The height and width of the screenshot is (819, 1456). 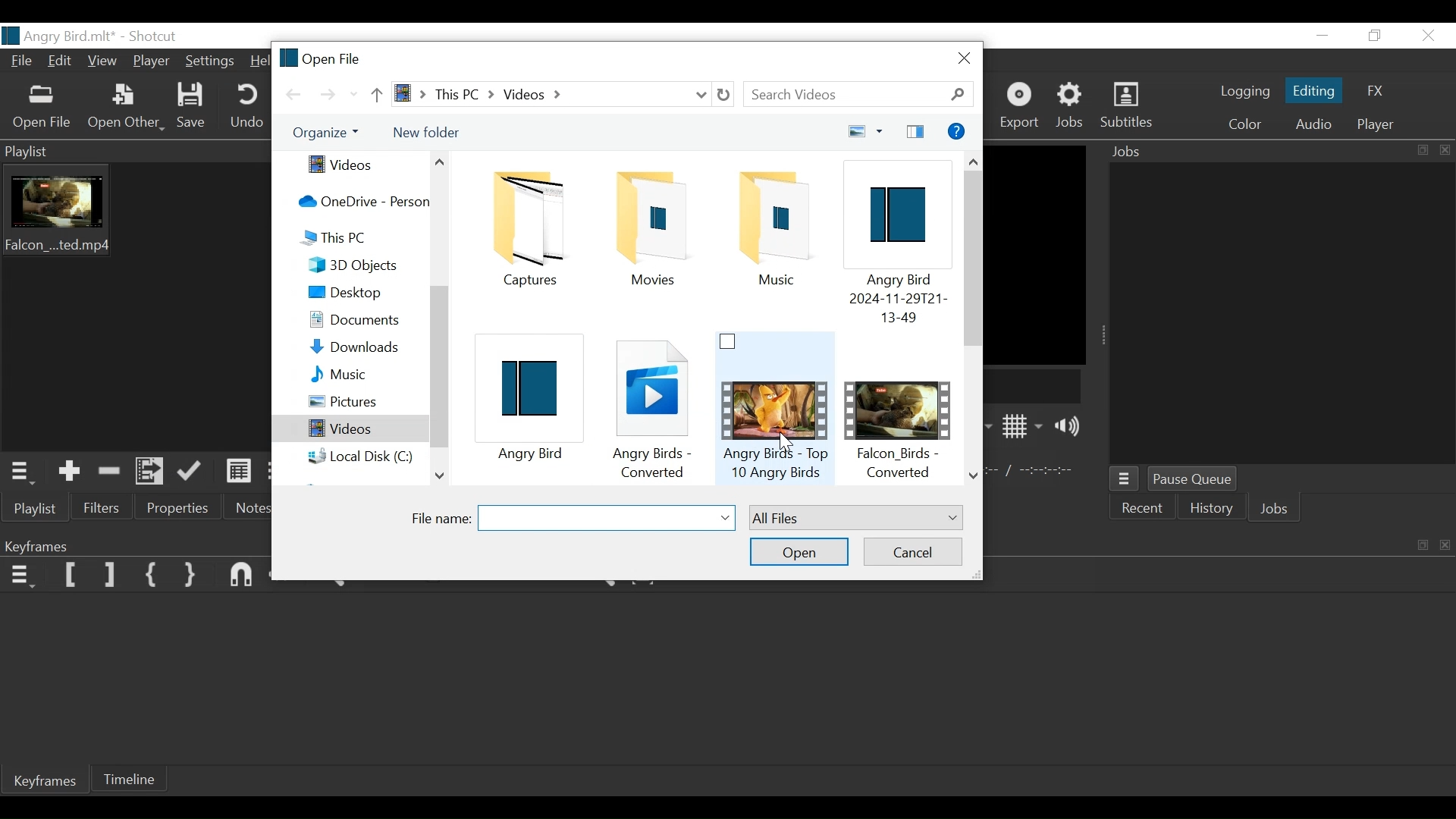 What do you see at coordinates (1025, 427) in the screenshot?
I see `Toggle display grid on player` at bounding box center [1025, 427].